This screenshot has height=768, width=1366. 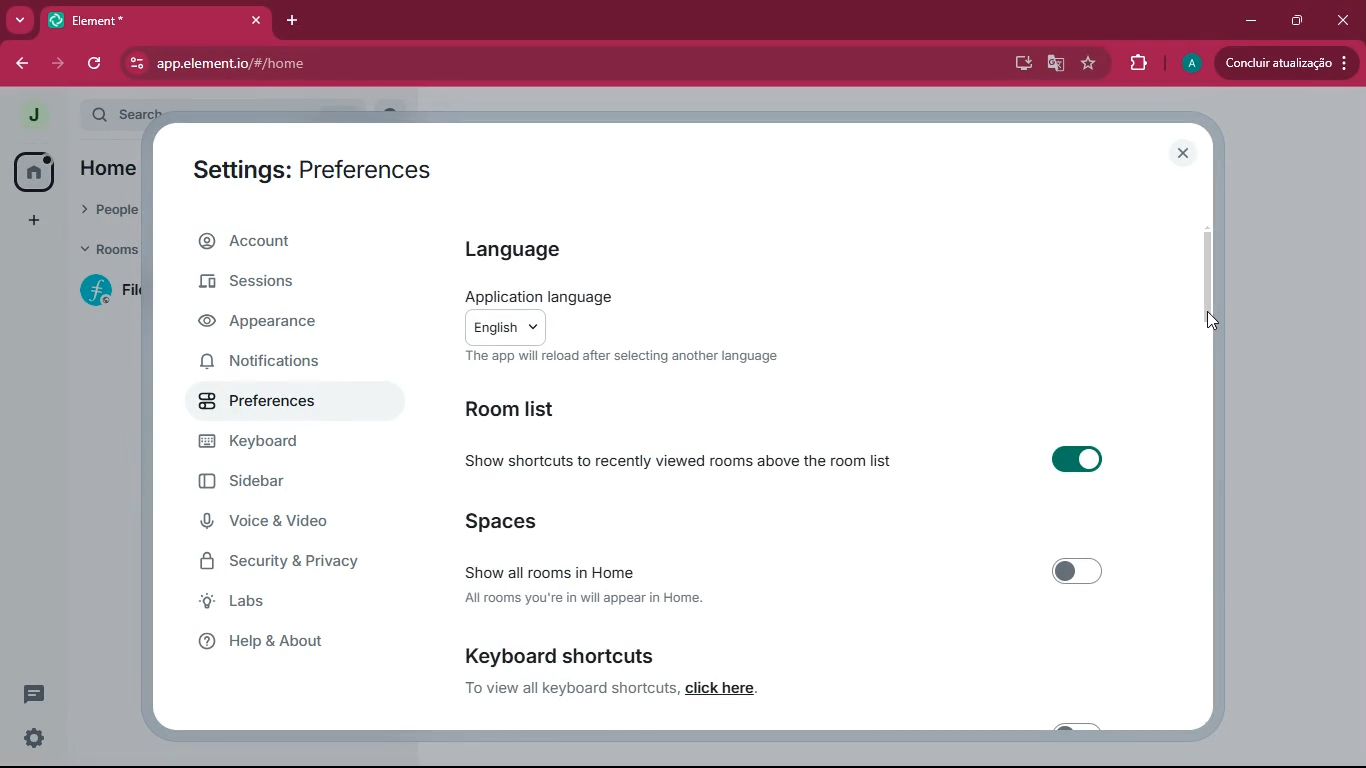 I want to click on show all rooms, so click(x=786, y=584).